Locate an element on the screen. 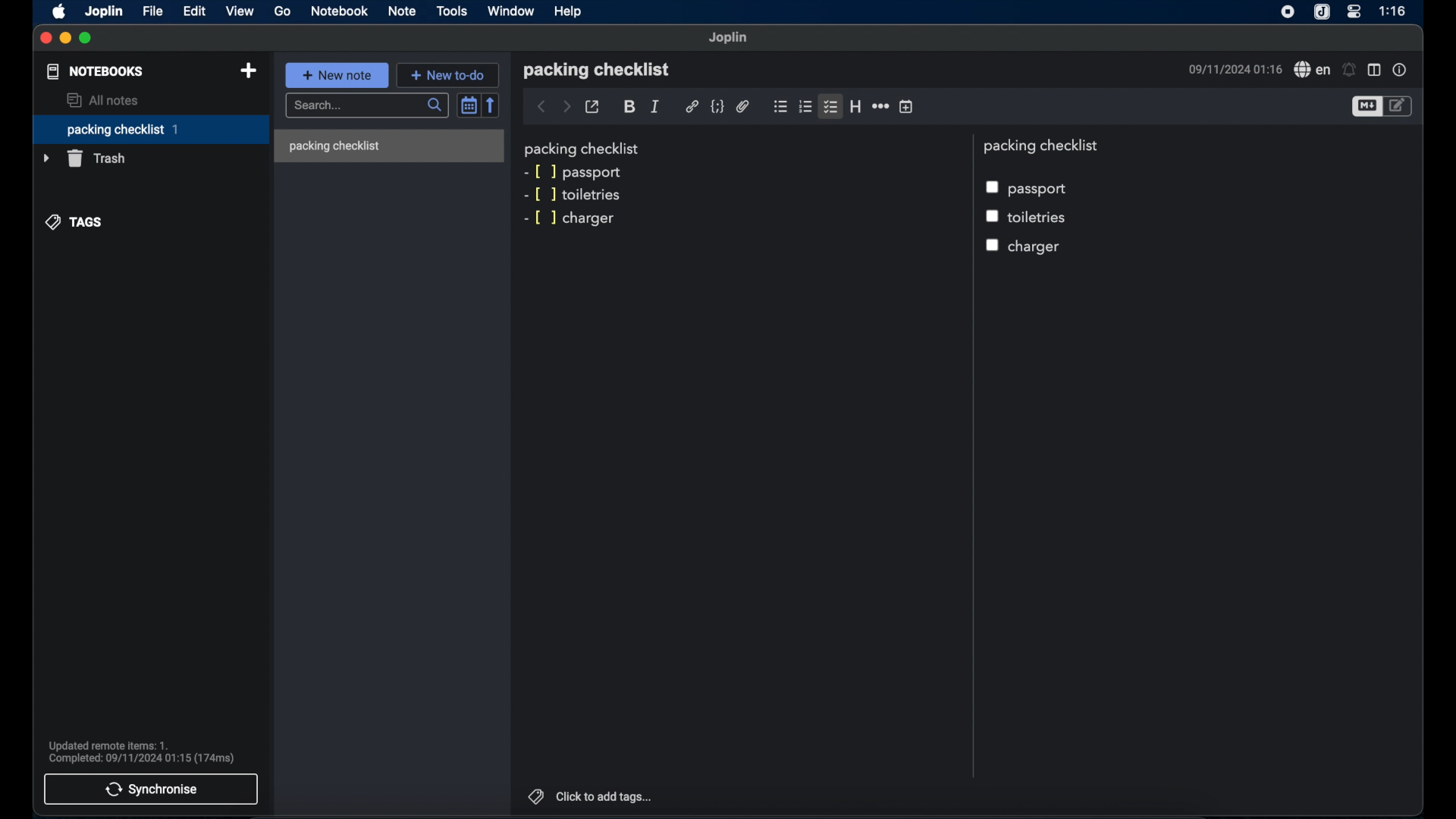 The height and width of the screenshot is (819, 1456). packing checklist is located at coordinates (596, 70).